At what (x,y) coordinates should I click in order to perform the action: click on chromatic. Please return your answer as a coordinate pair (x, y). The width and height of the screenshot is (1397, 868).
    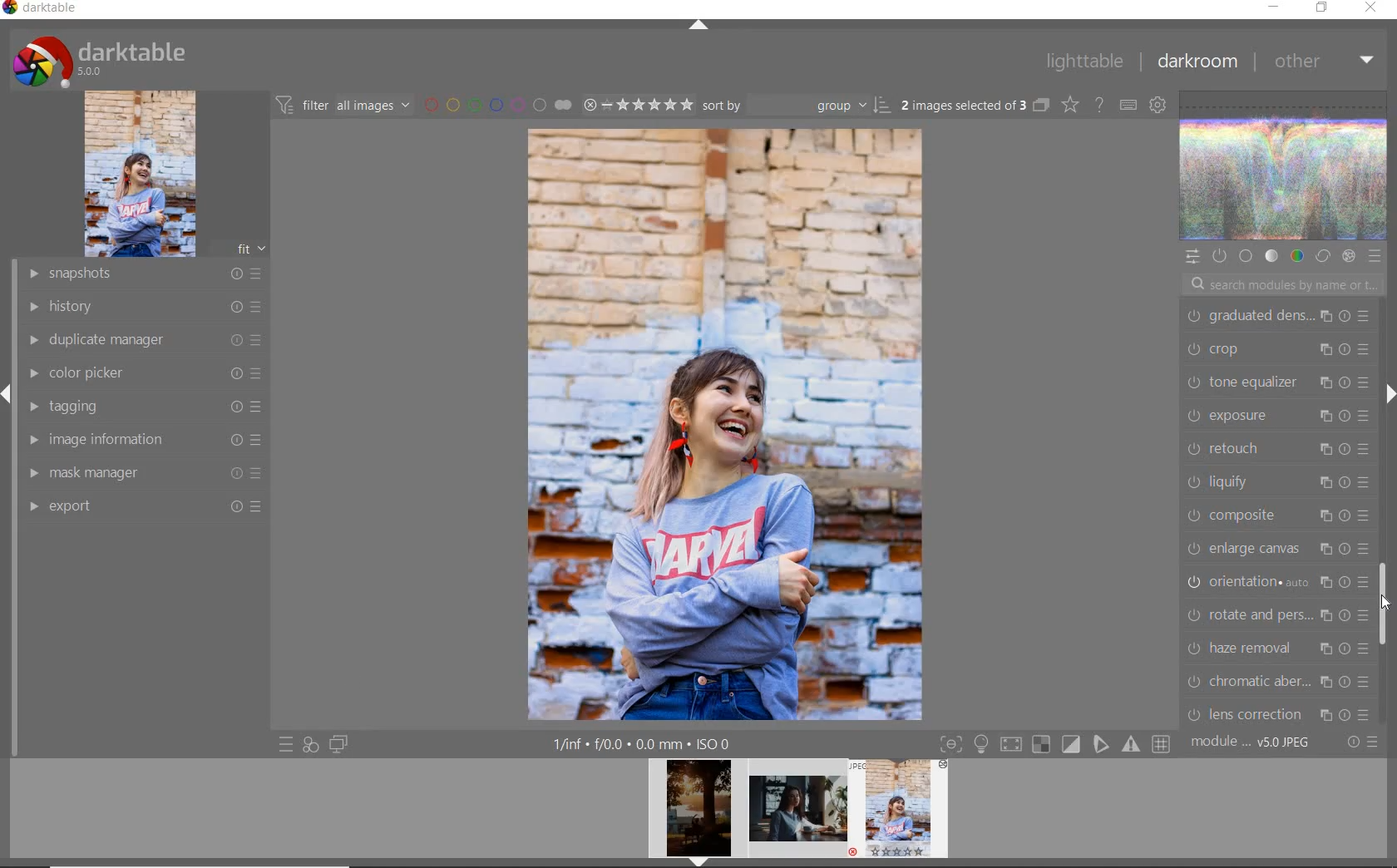
    Looking at the image, I should click on (1277, 682).